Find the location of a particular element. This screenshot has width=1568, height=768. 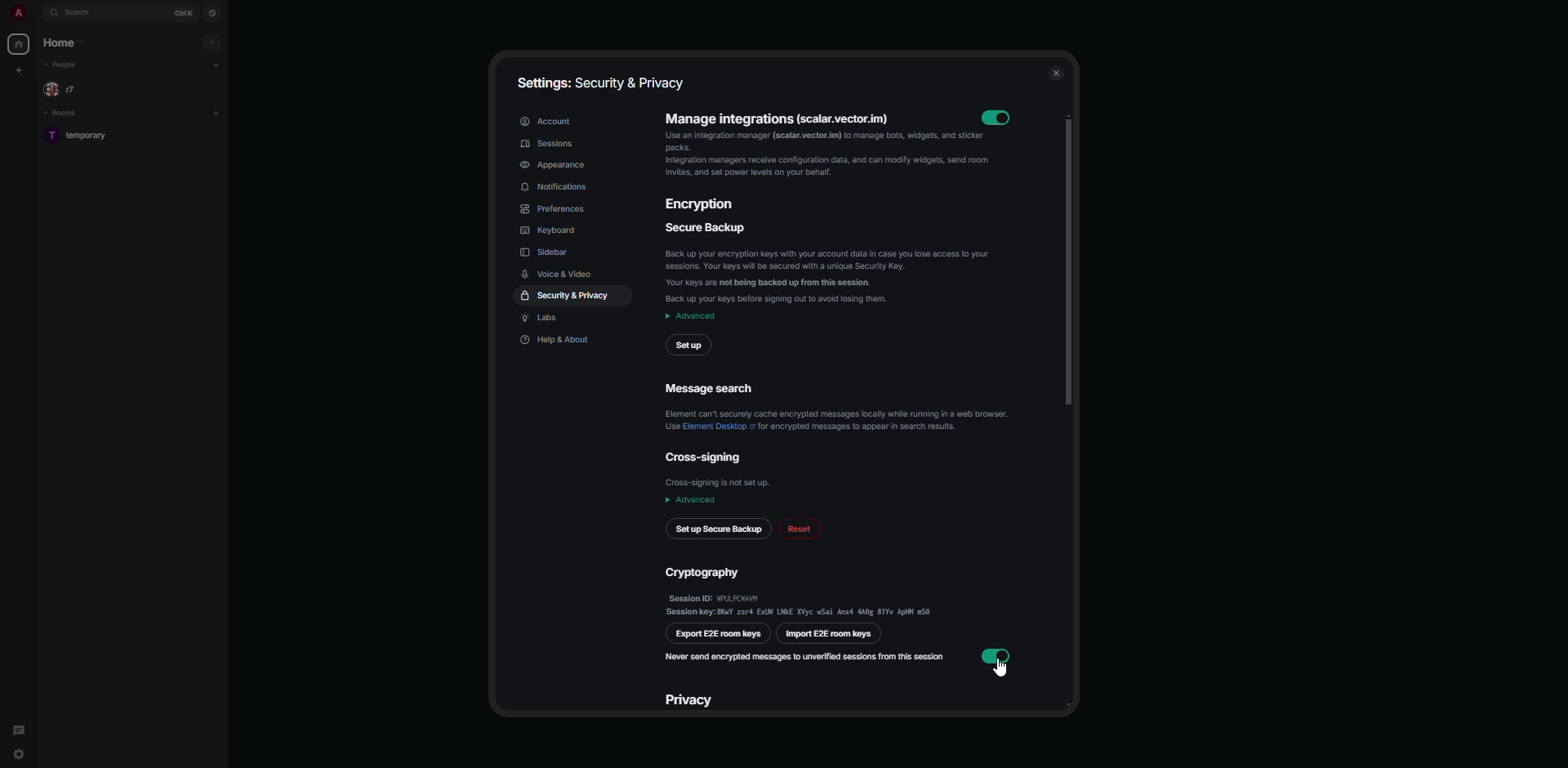

add is located at coordinates (217, 113).